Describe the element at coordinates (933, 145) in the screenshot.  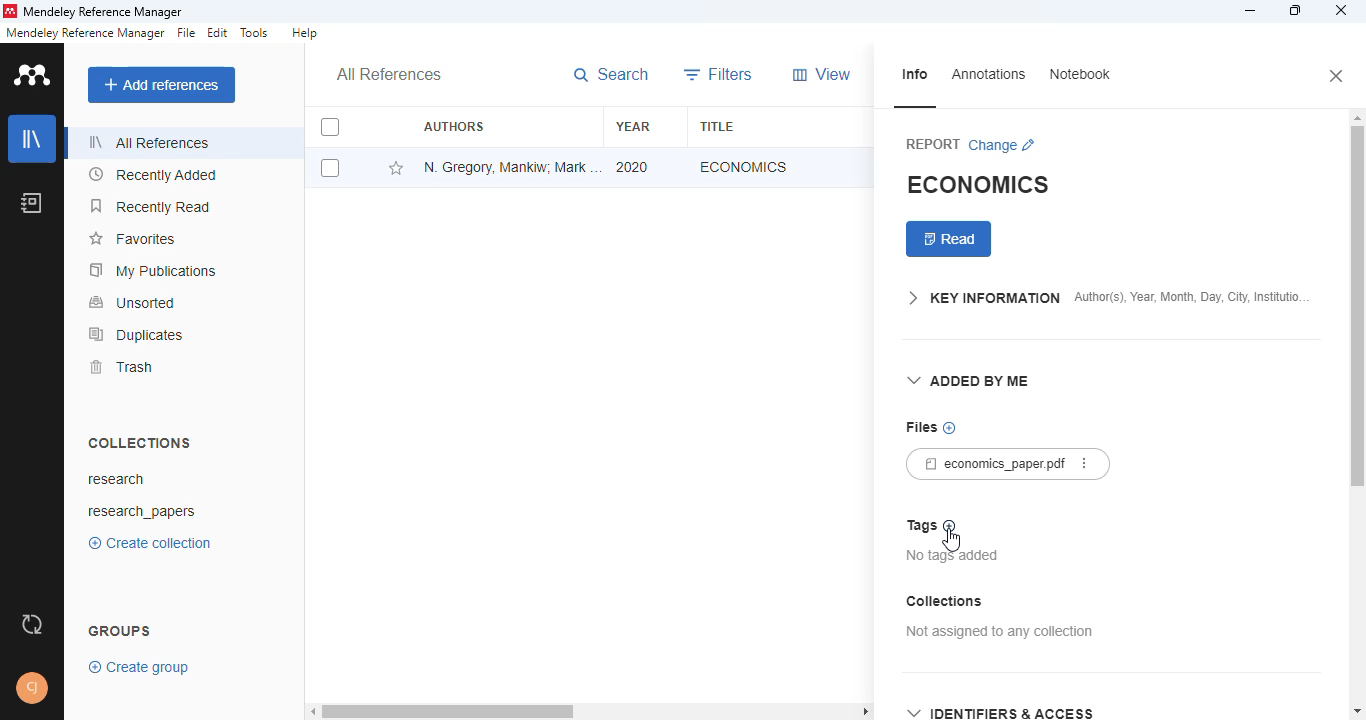
I see `report` at that location.